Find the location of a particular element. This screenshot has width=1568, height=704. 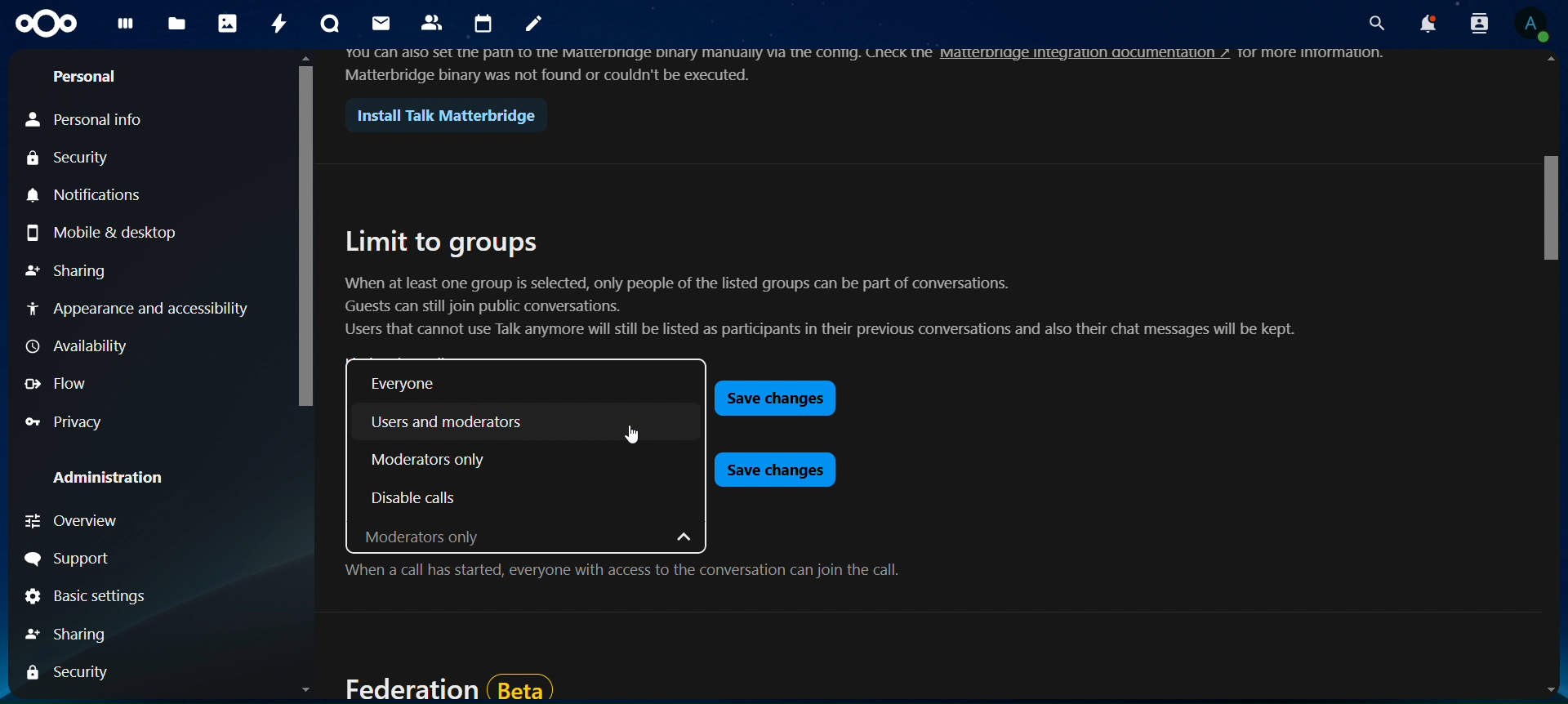

dropdown is located at coordinates (689, 539).